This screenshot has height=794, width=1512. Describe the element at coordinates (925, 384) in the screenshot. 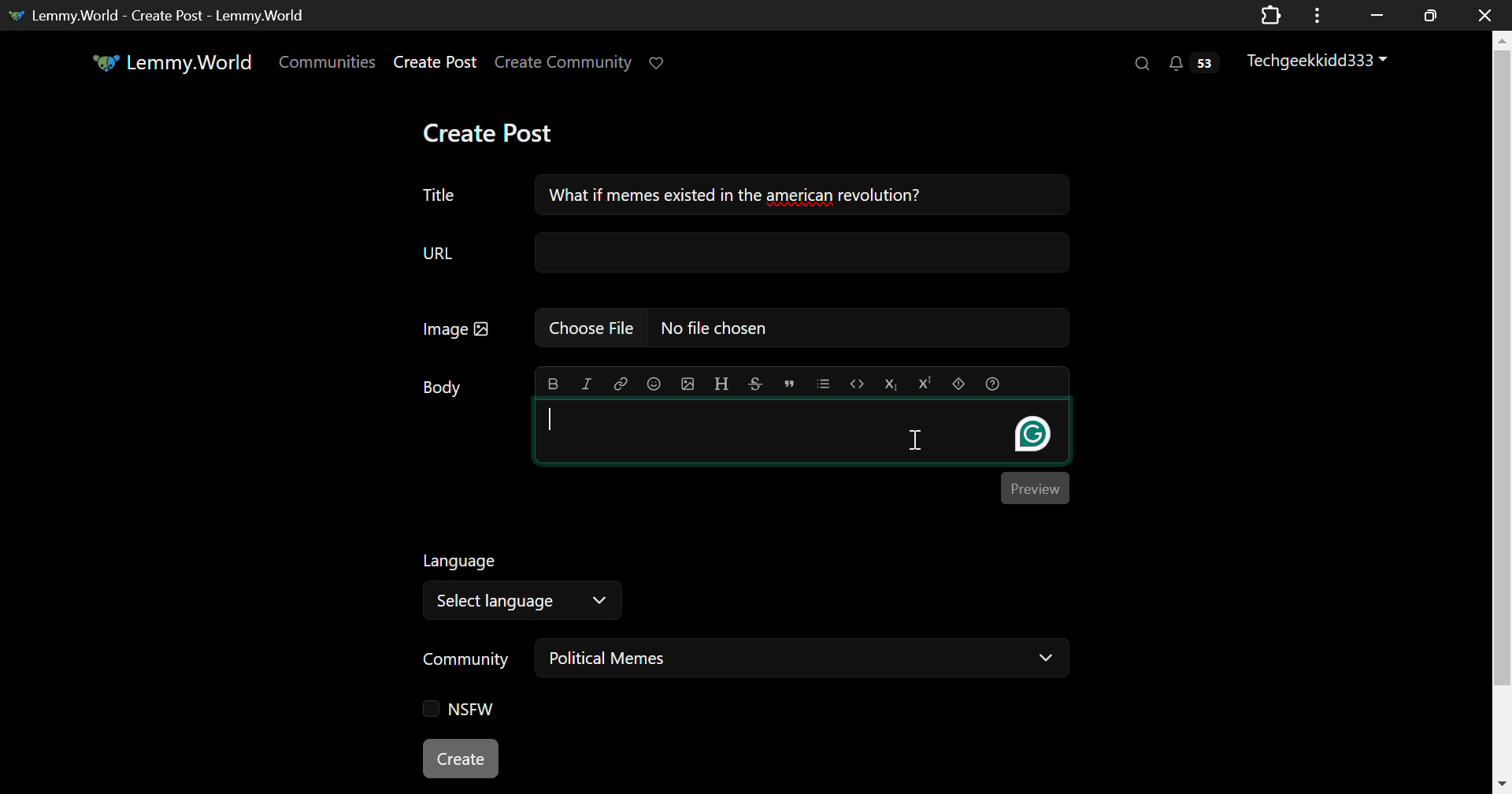

I see `Superscript` at that location.